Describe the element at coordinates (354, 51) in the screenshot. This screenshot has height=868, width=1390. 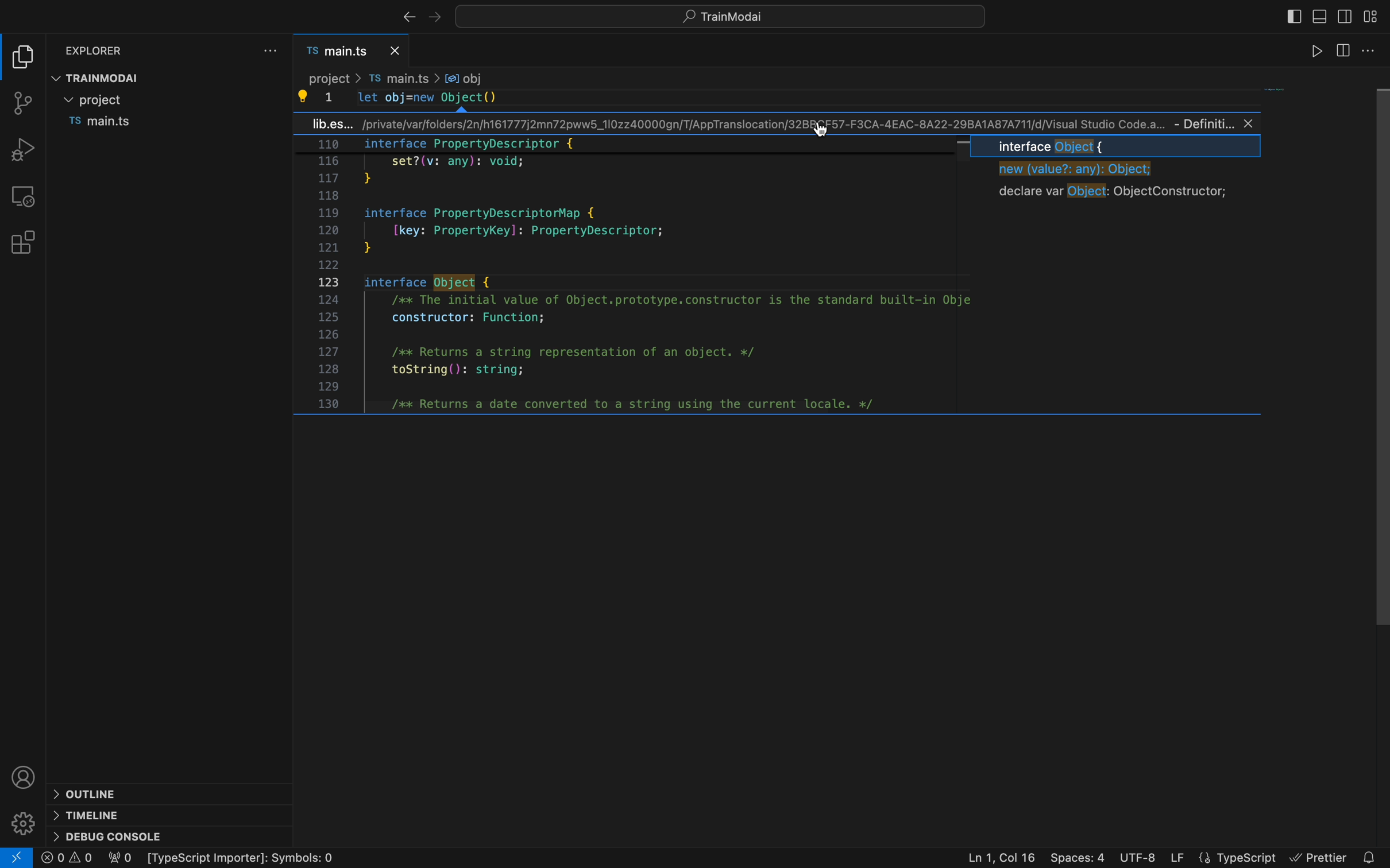
I see `file tab` at that location.